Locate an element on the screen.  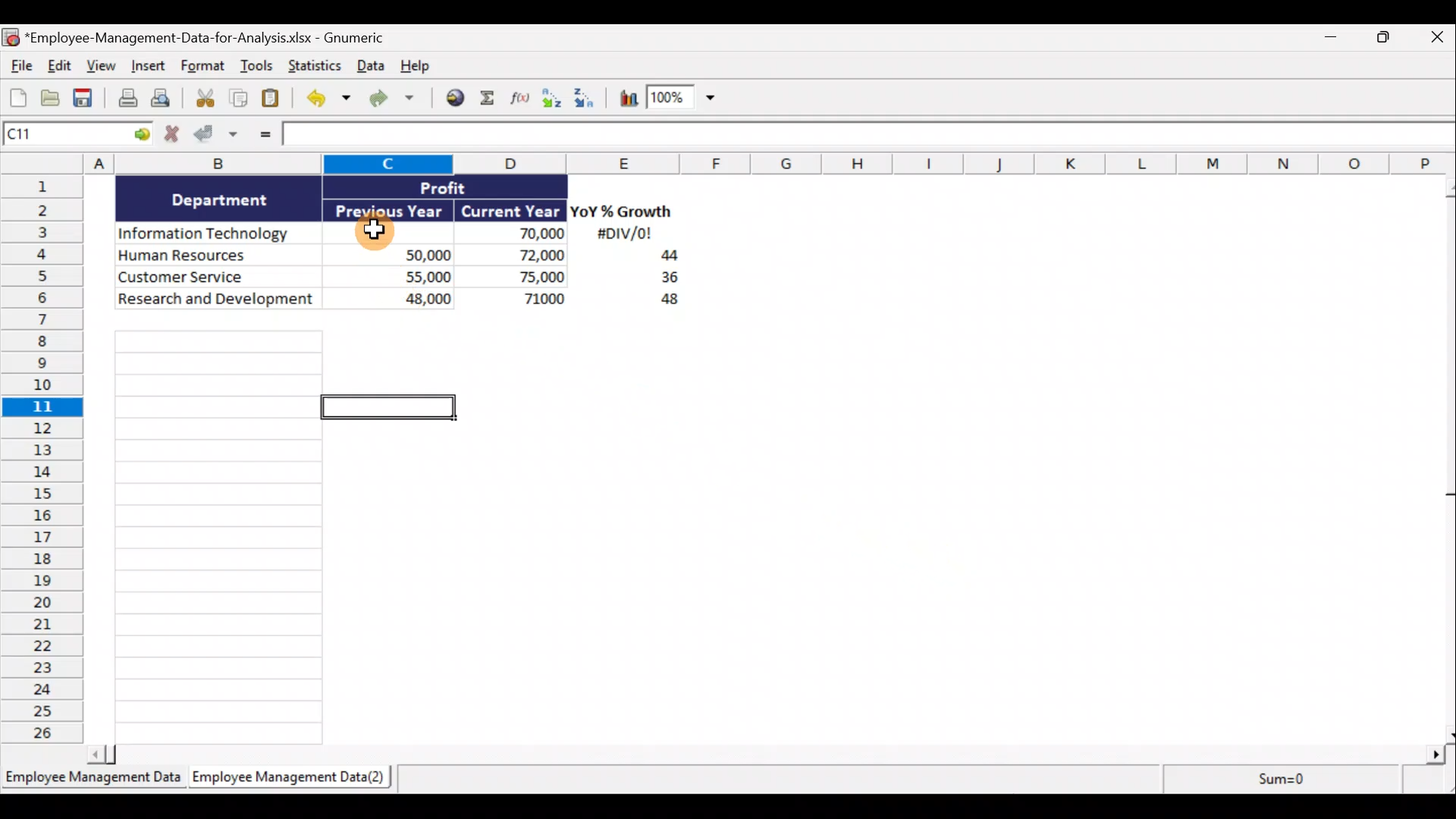
Sum=0 is located at coordinates (1275, 783).